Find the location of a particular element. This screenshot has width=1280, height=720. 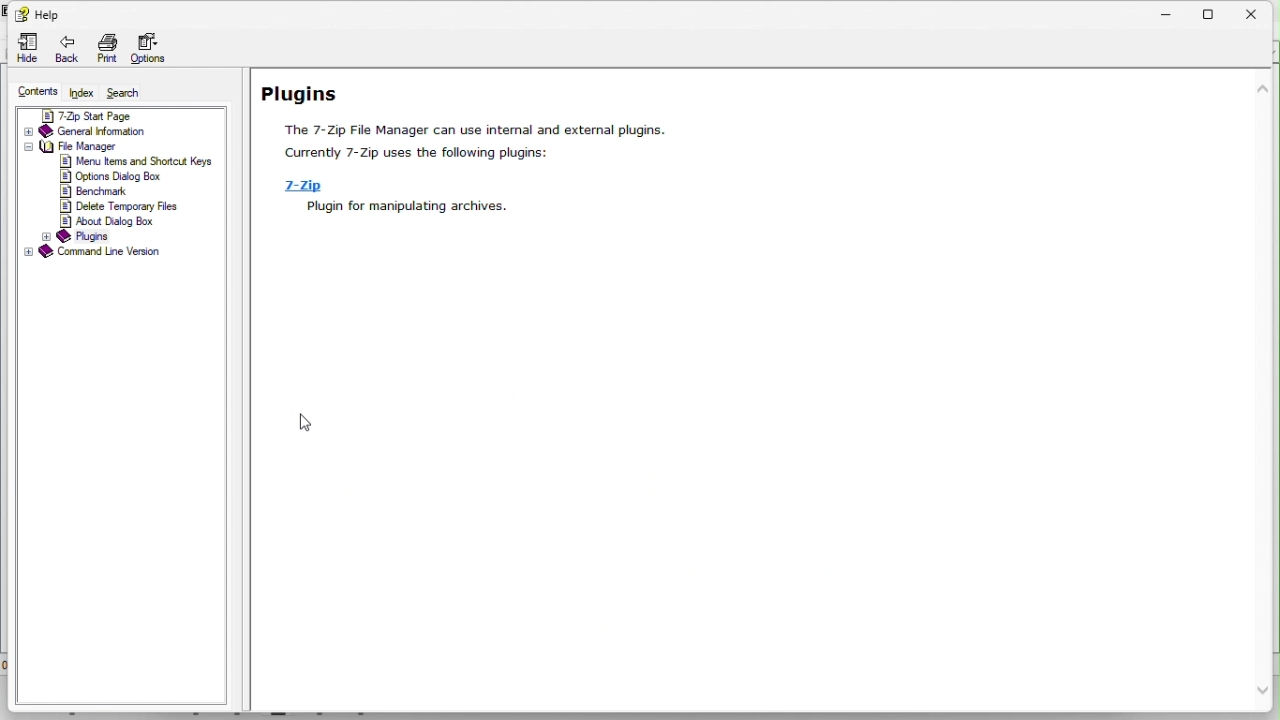

delete temporary files is located at coordinates (125, 205).